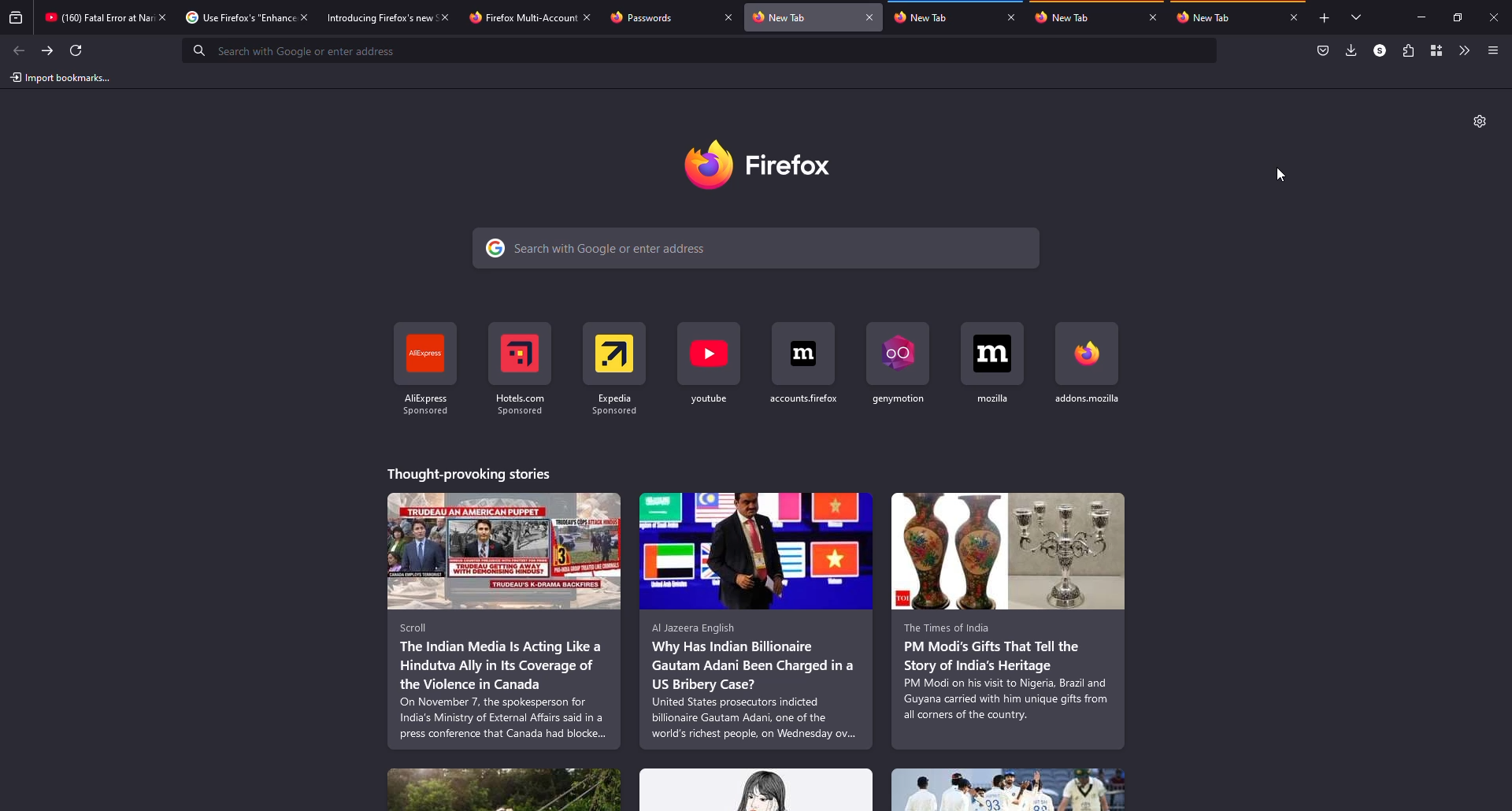 The image size is (1512, 811). Describe the element at coordinates (1496, 17) in the screenshot. I see `close` at that location.